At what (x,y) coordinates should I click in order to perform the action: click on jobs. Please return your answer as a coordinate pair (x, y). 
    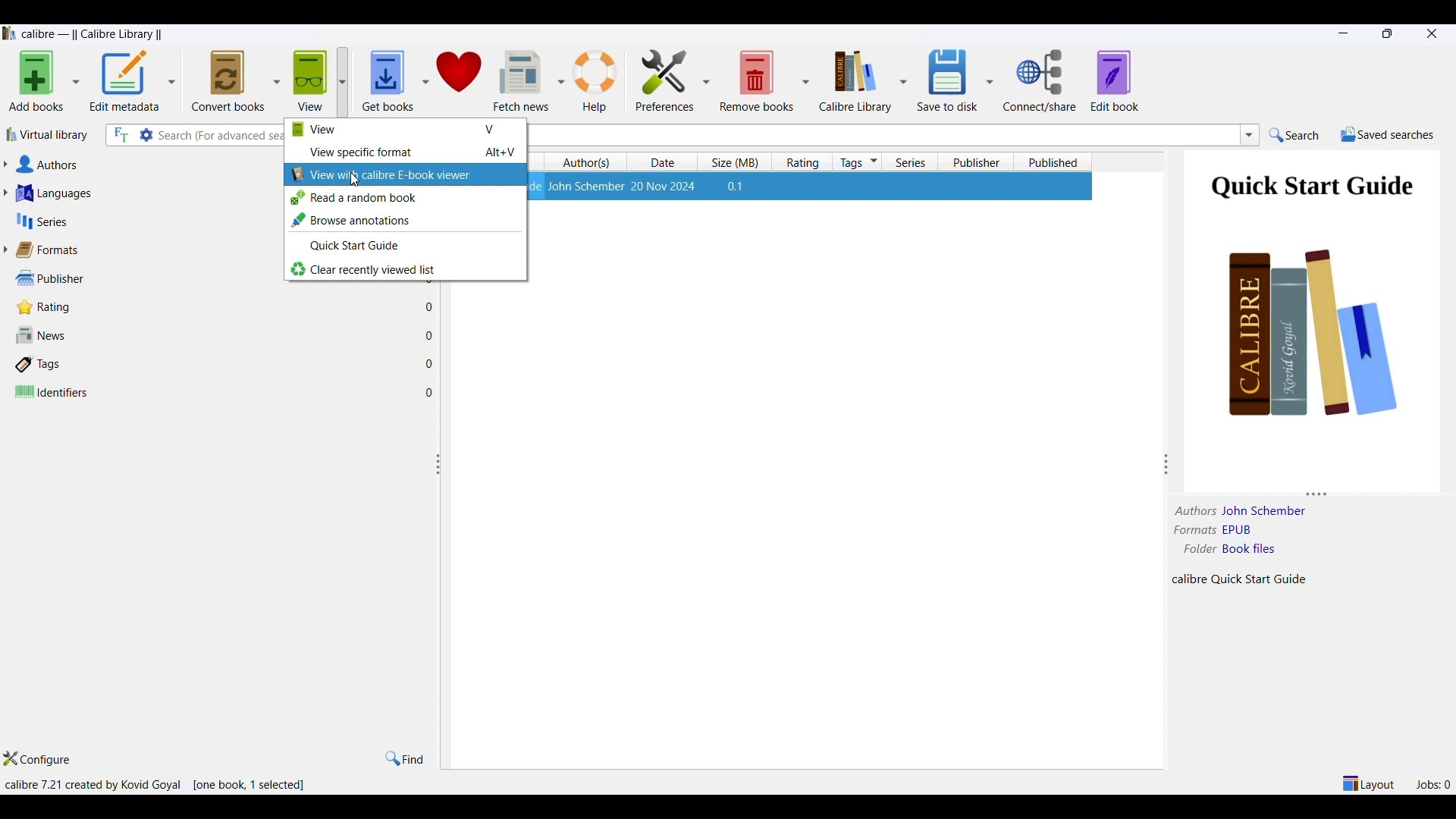
    Looking at the image, I should click on (1434, 783).